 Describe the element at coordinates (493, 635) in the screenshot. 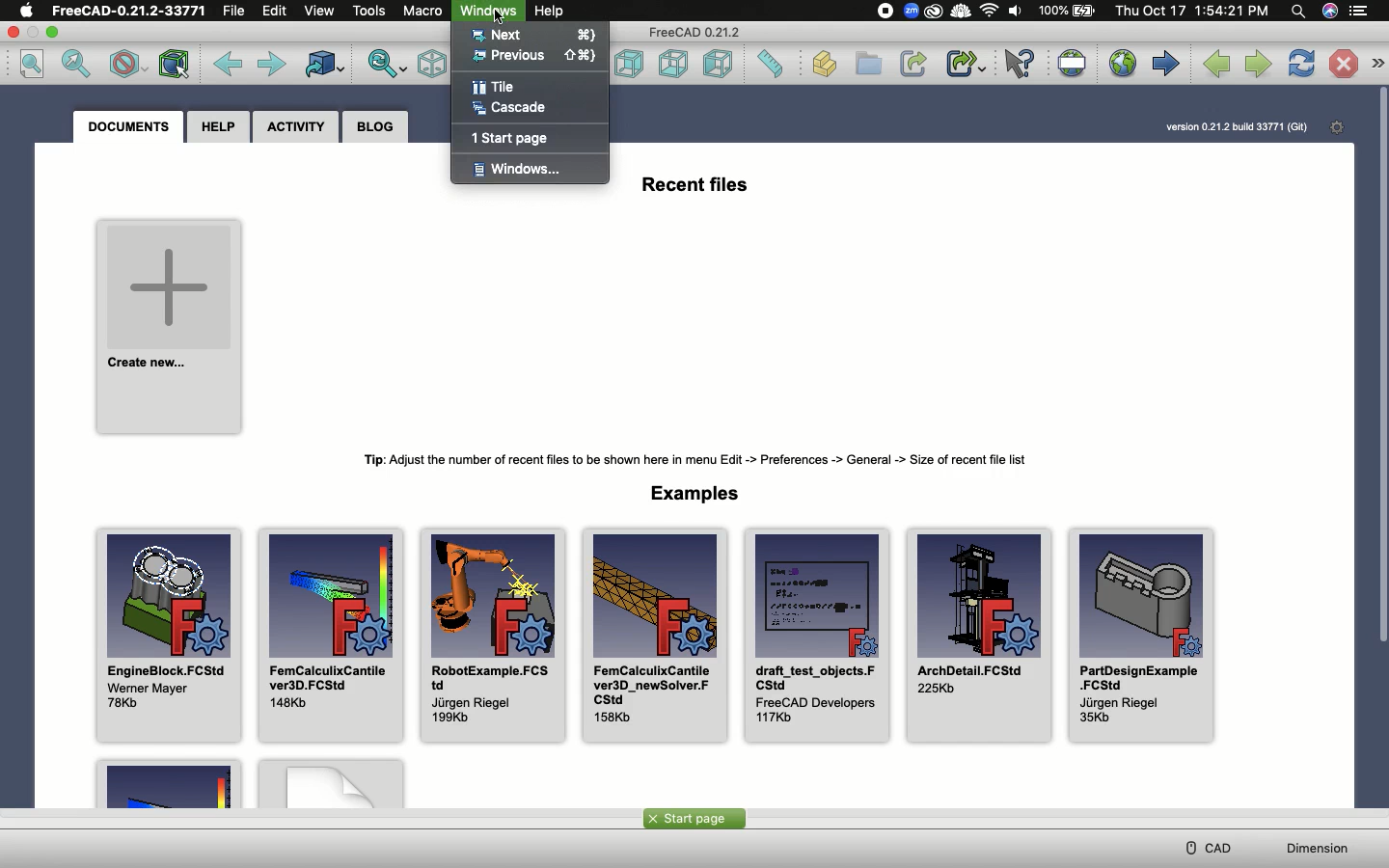

I see `RobotExample.FCStd` at that location.